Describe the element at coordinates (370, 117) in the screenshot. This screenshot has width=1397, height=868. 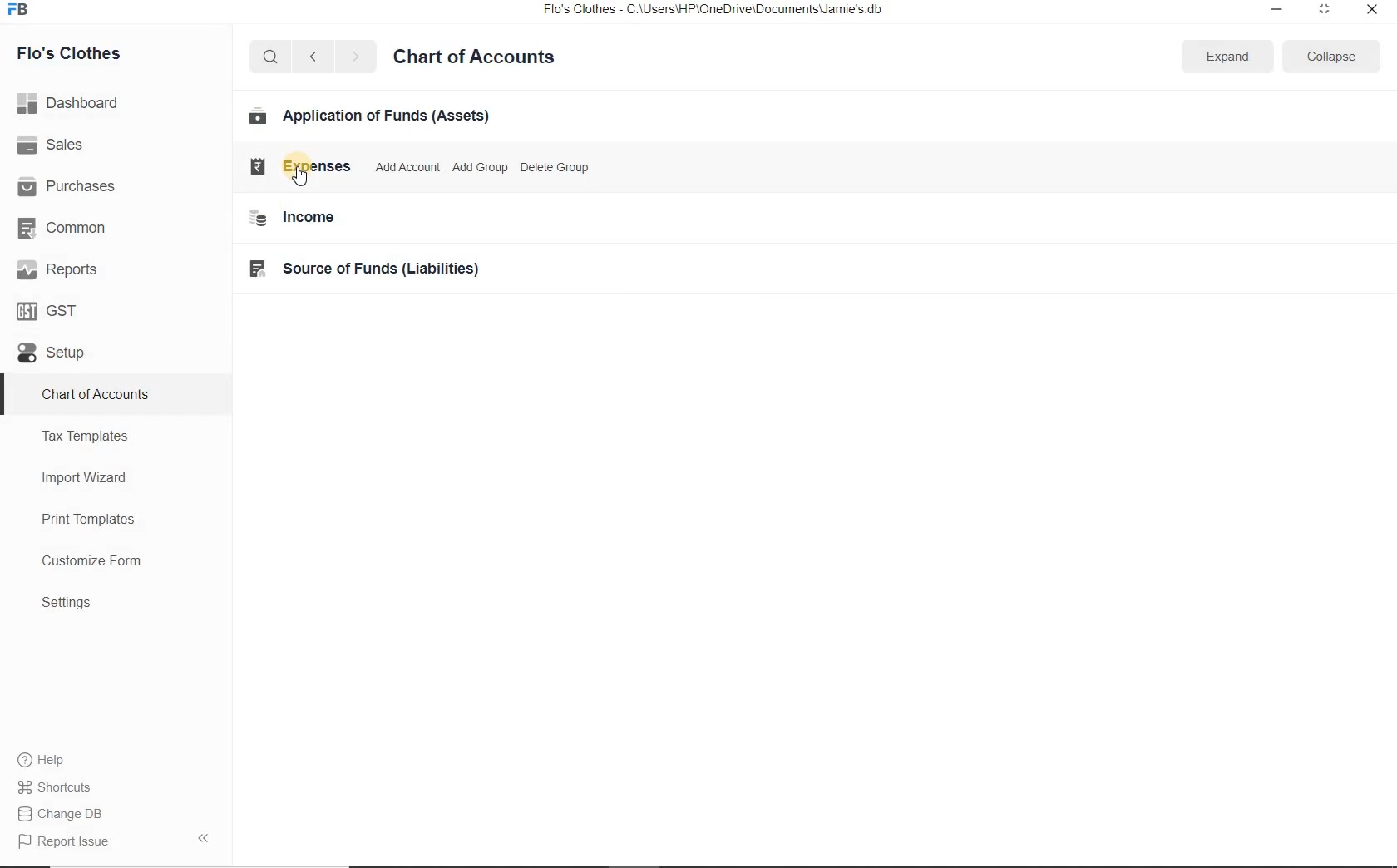
I see `Application of Funds (Assets)` at that location.